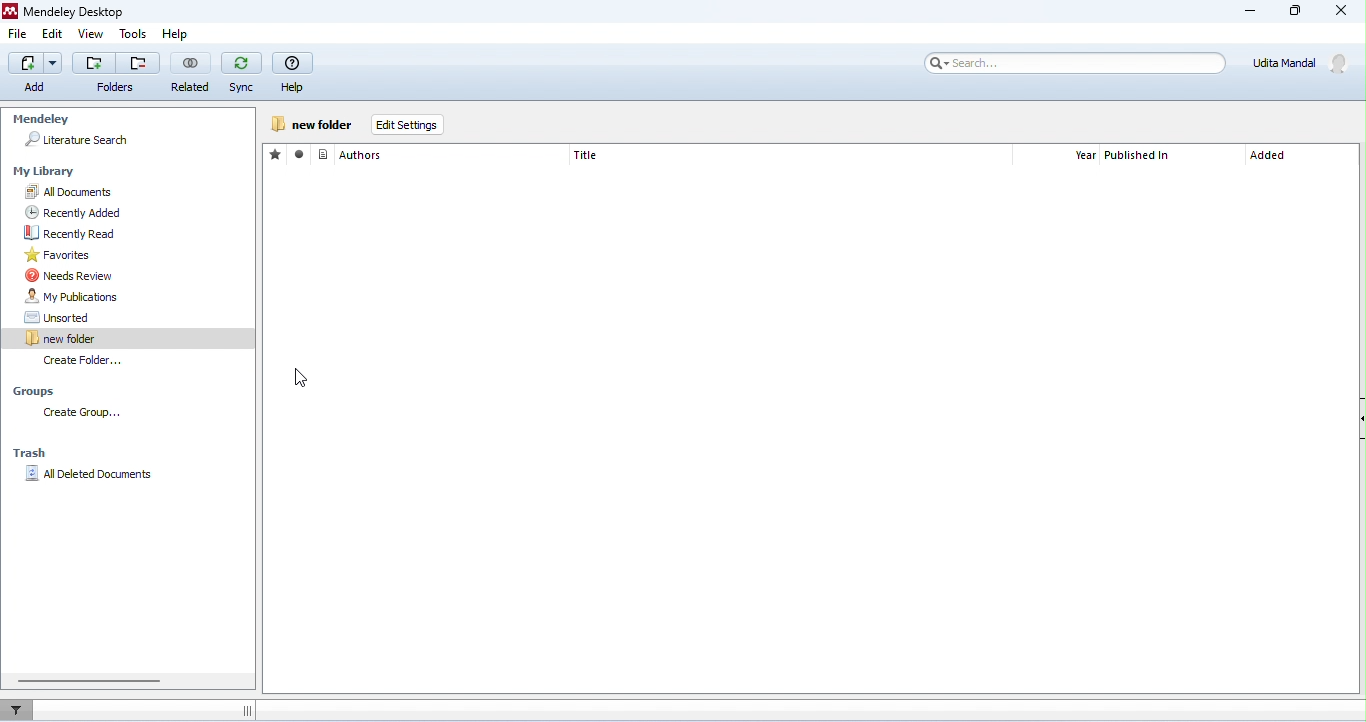 The image size is (1366, 722). Describe the element at coordinates (1357, 421) in the screenshot. I see `show or hide document details` at that location.